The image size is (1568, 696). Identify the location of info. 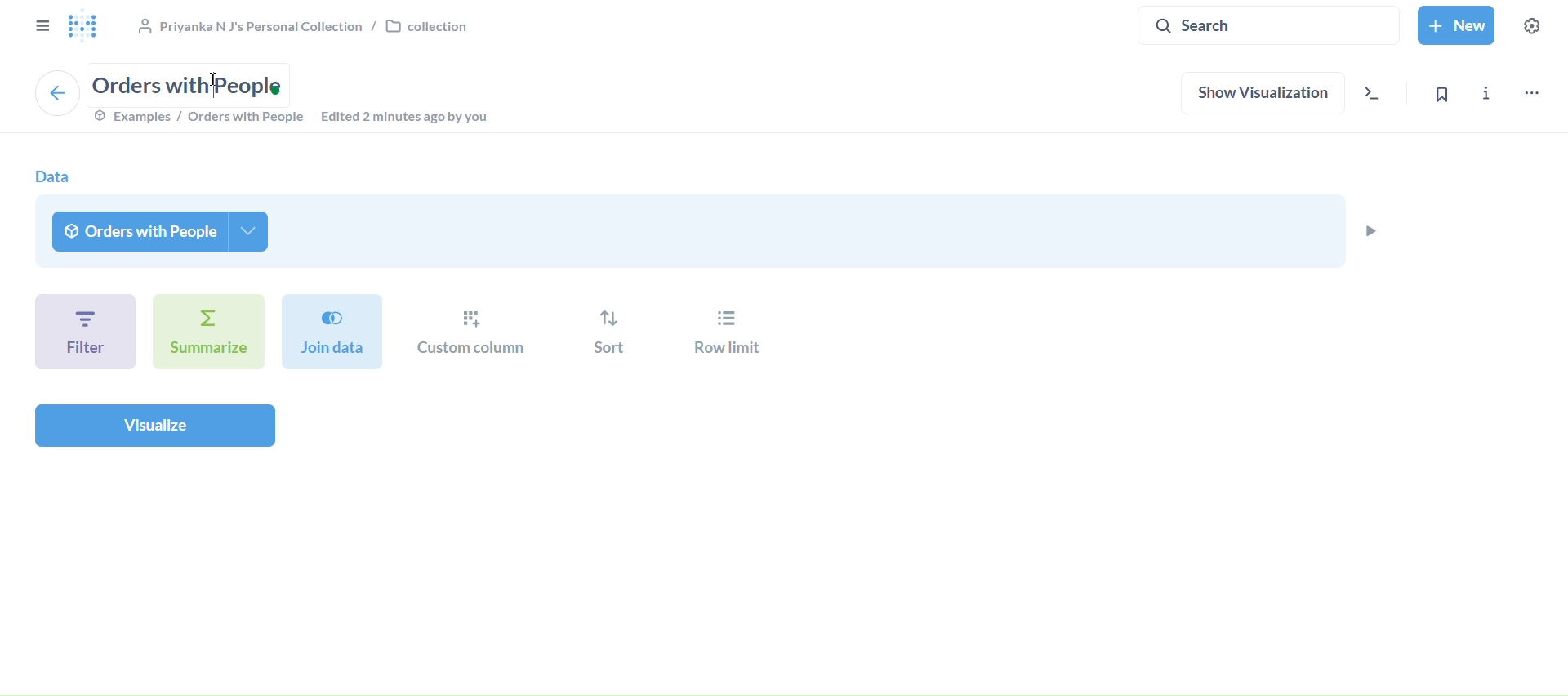
(1490, 97).